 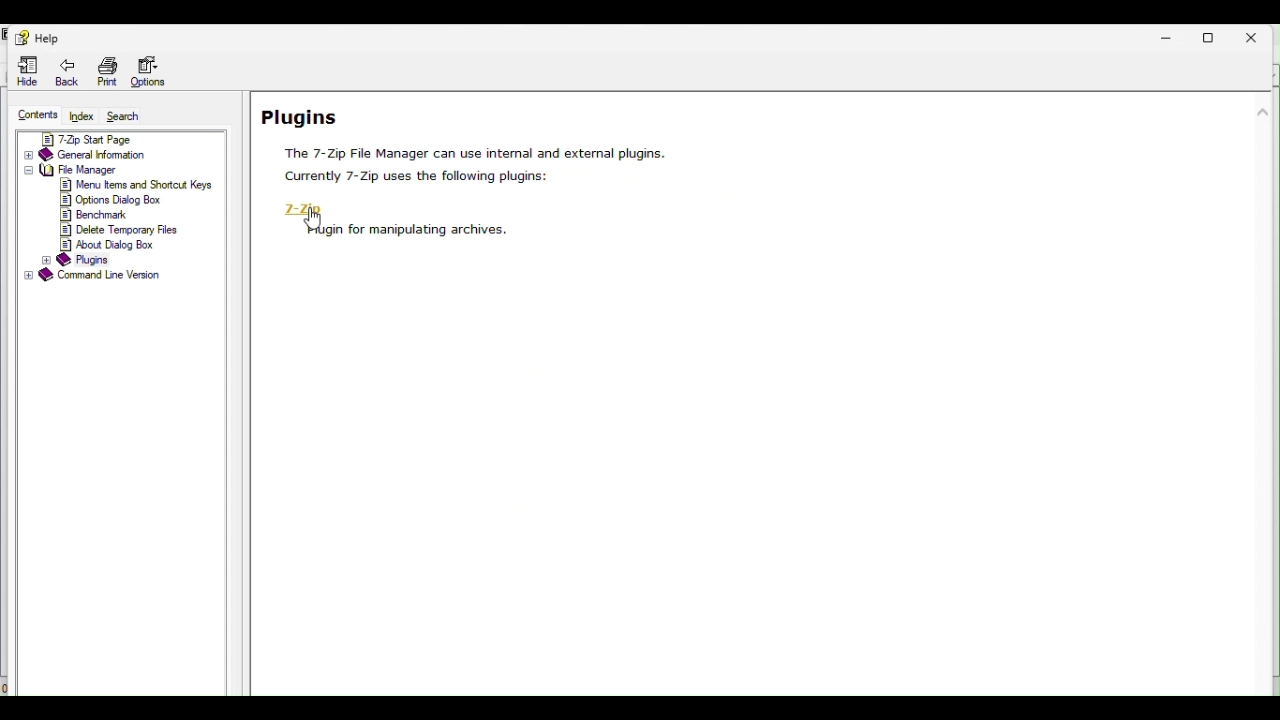 I want to click on 7 zip, so click(x=316, y=212).